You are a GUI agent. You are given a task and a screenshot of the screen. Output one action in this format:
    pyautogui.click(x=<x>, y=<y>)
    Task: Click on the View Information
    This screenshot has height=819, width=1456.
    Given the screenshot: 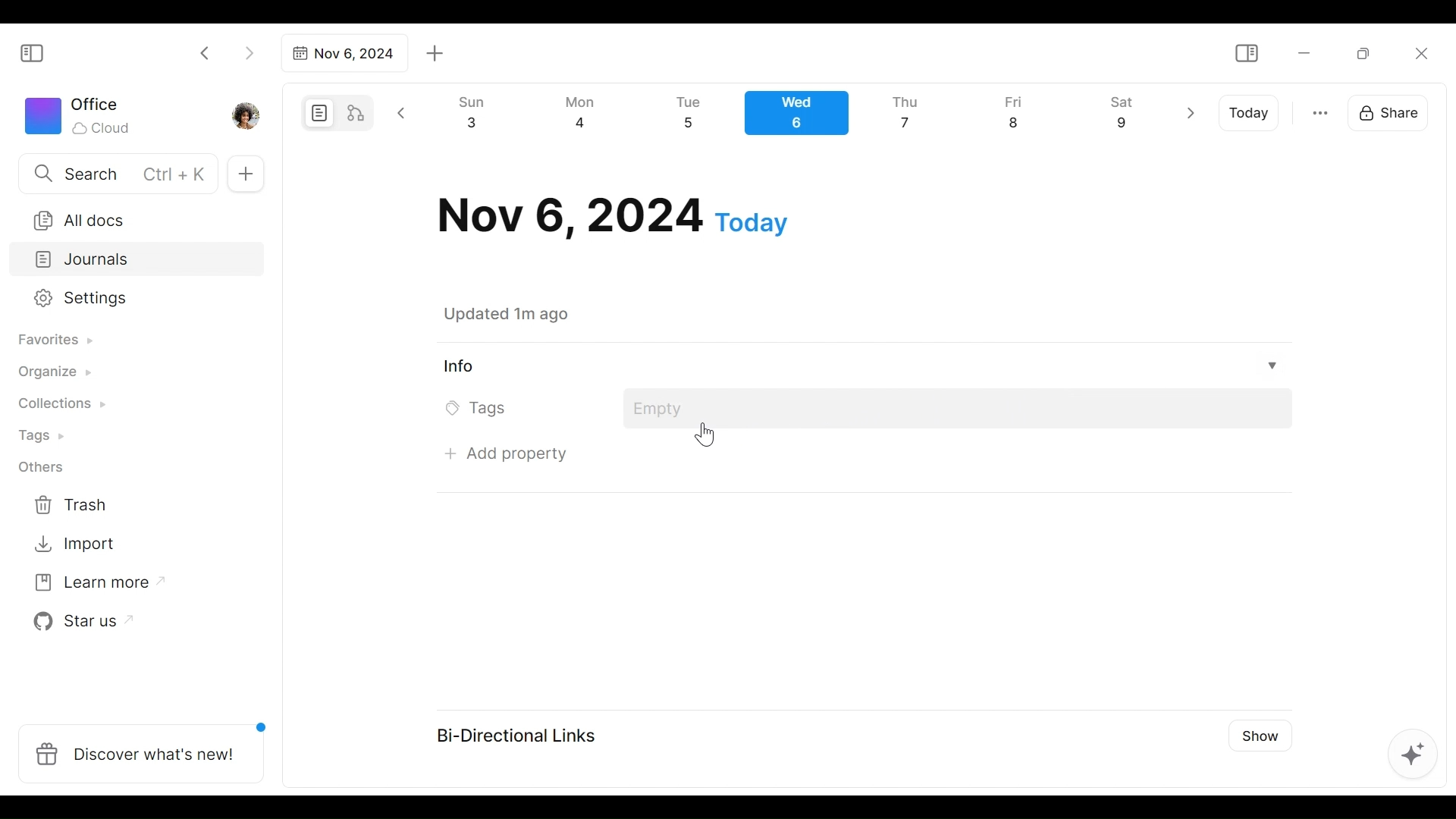 What is the action you would take?
    pyautogui.click(x=858, y=366)
    